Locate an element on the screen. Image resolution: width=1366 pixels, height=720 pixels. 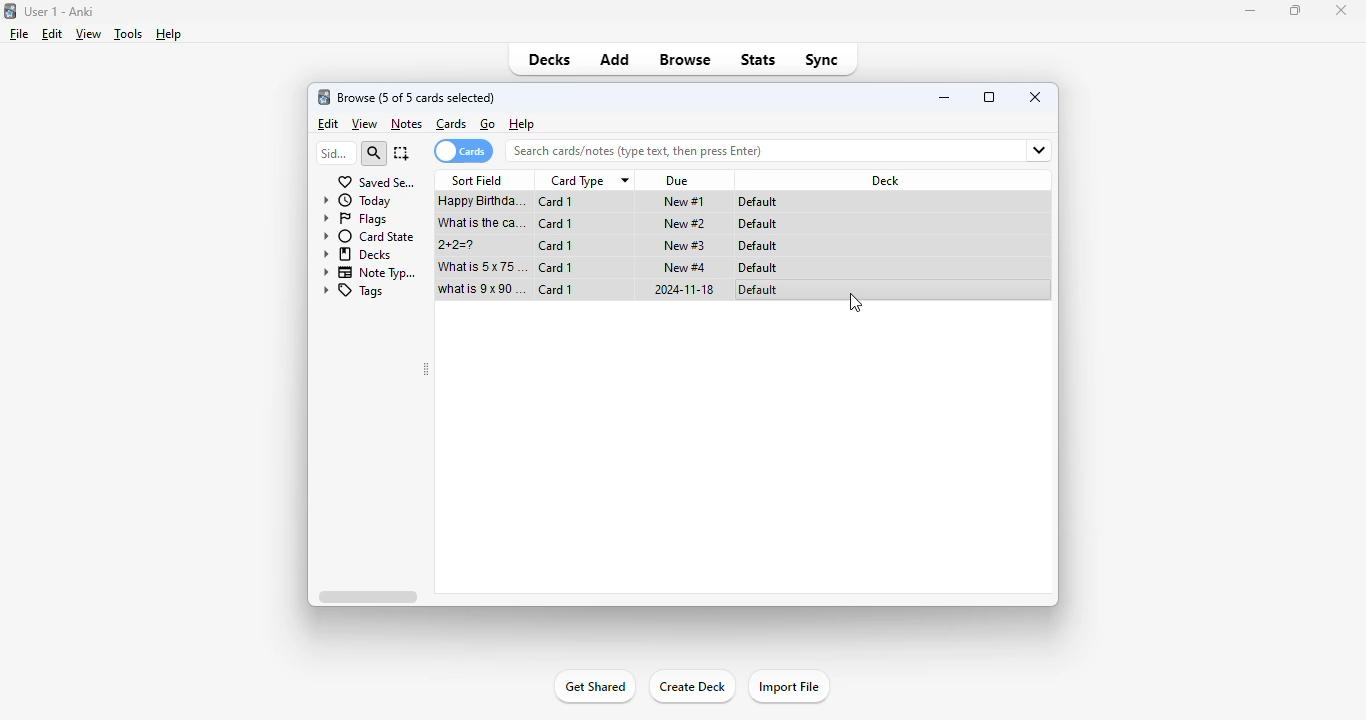
minimize is located at coordinates (1249, 11).